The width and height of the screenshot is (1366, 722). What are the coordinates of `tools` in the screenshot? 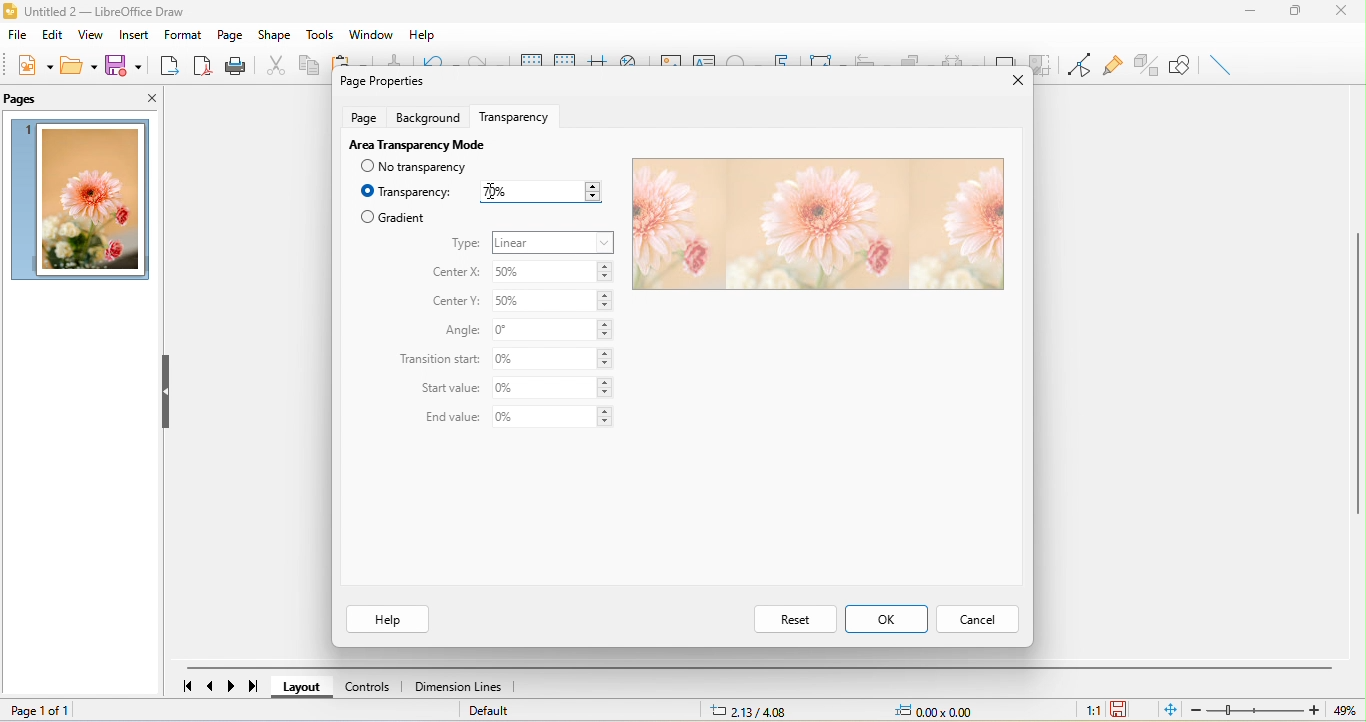 It's located at (318, 34).